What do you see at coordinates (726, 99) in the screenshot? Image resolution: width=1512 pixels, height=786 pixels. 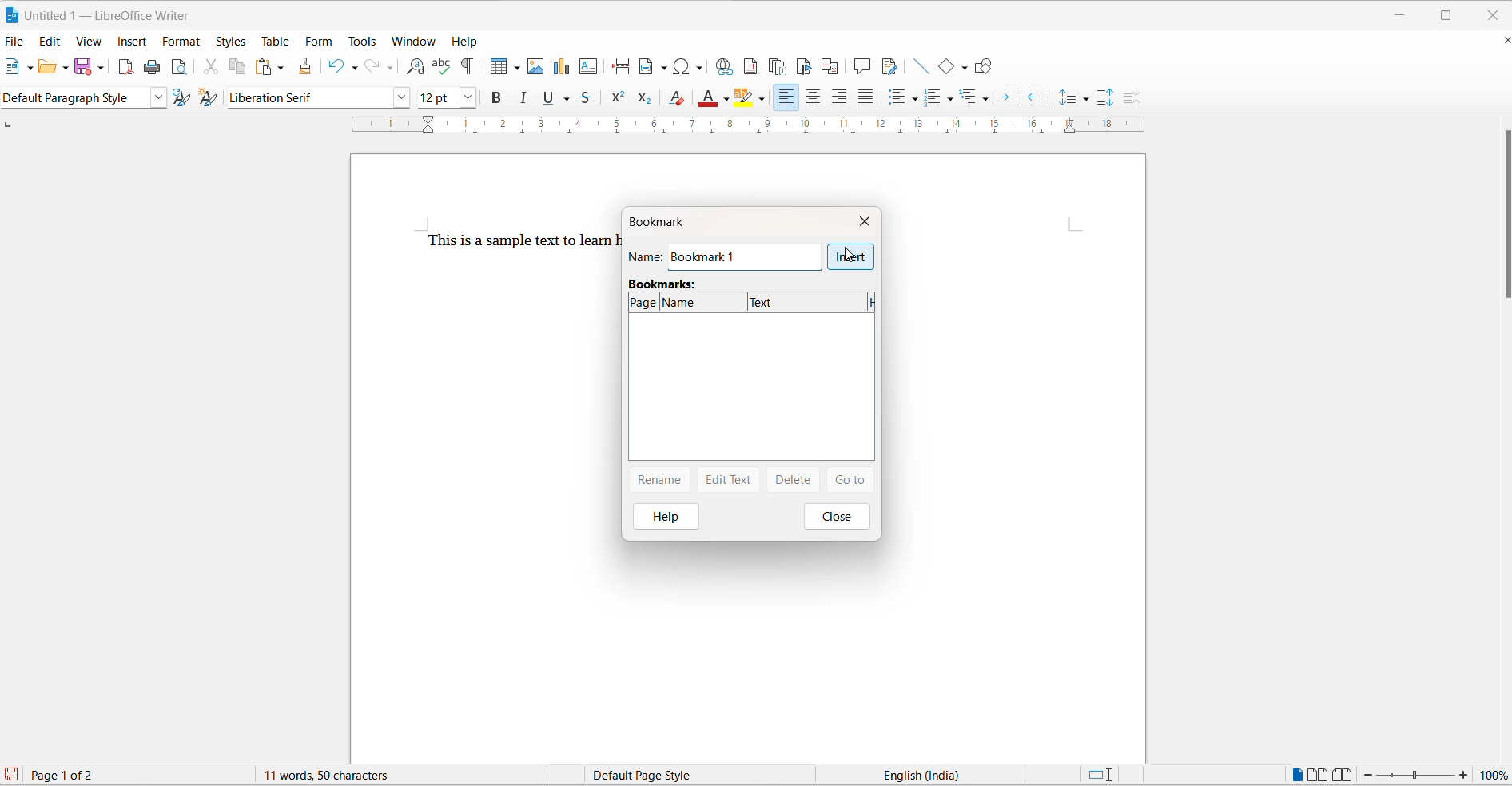 I see `font color options` at bounding box center [726, 99].